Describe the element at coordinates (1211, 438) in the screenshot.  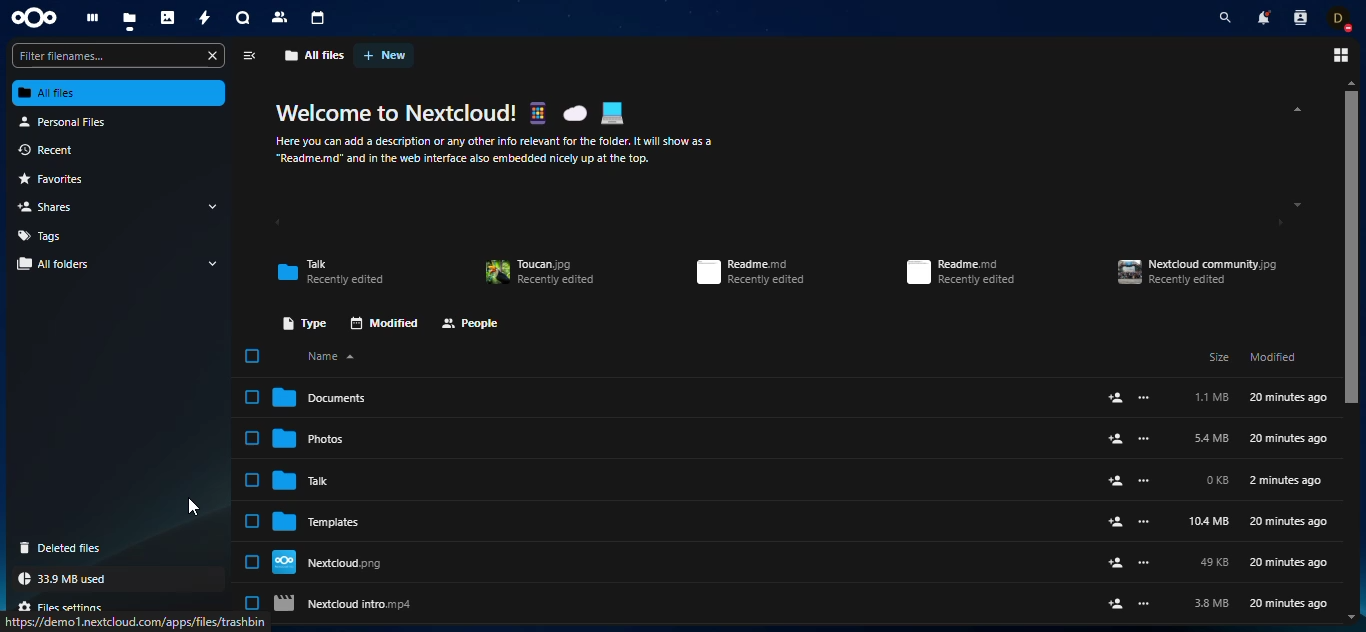
I see `5.4 MB` at that location.